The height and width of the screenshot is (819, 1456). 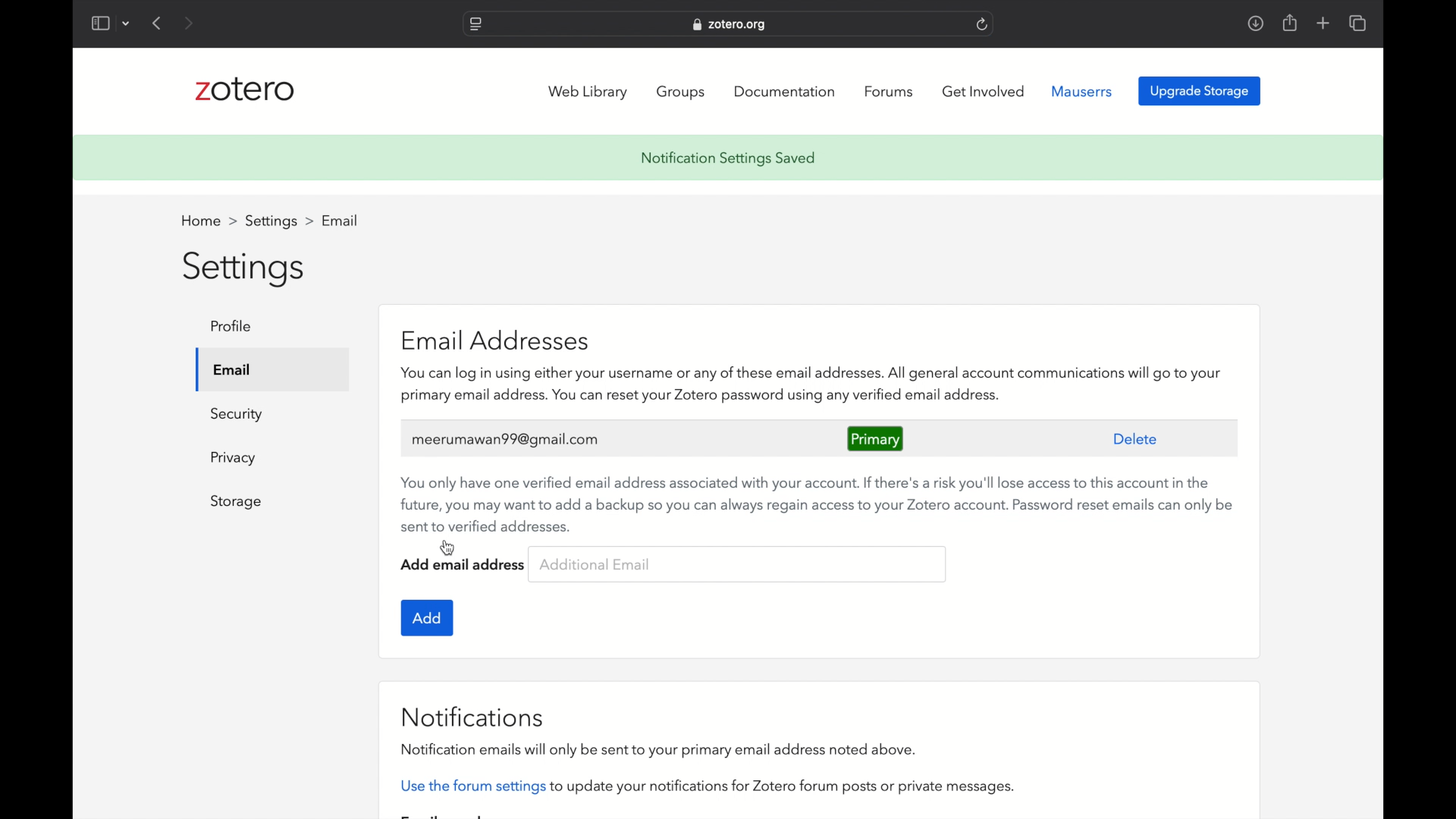 I want to click on refresh, so click(x=983, y=24).